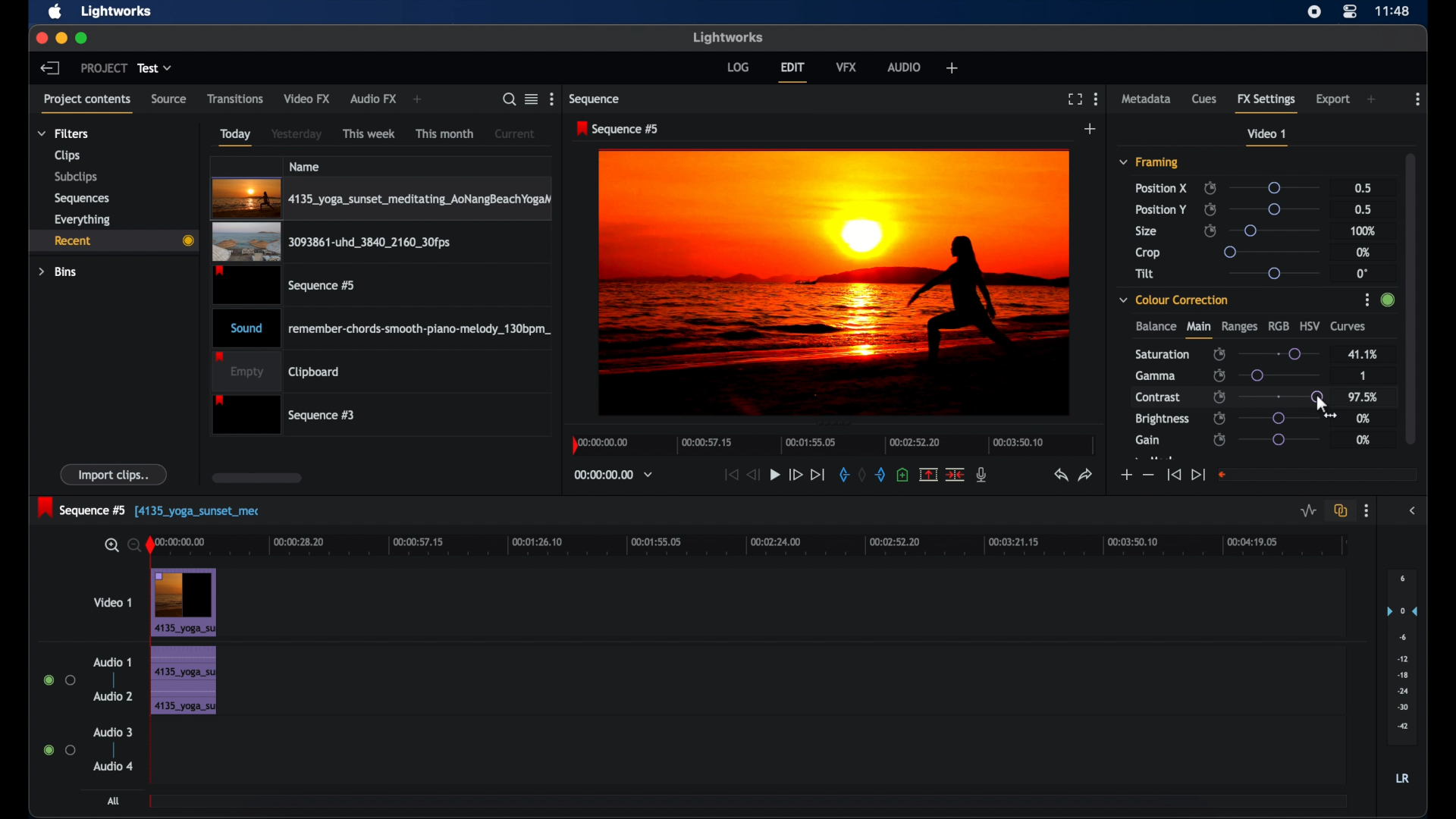 The image size is (1456, 819). I want to click on this month, so click(444, 133).